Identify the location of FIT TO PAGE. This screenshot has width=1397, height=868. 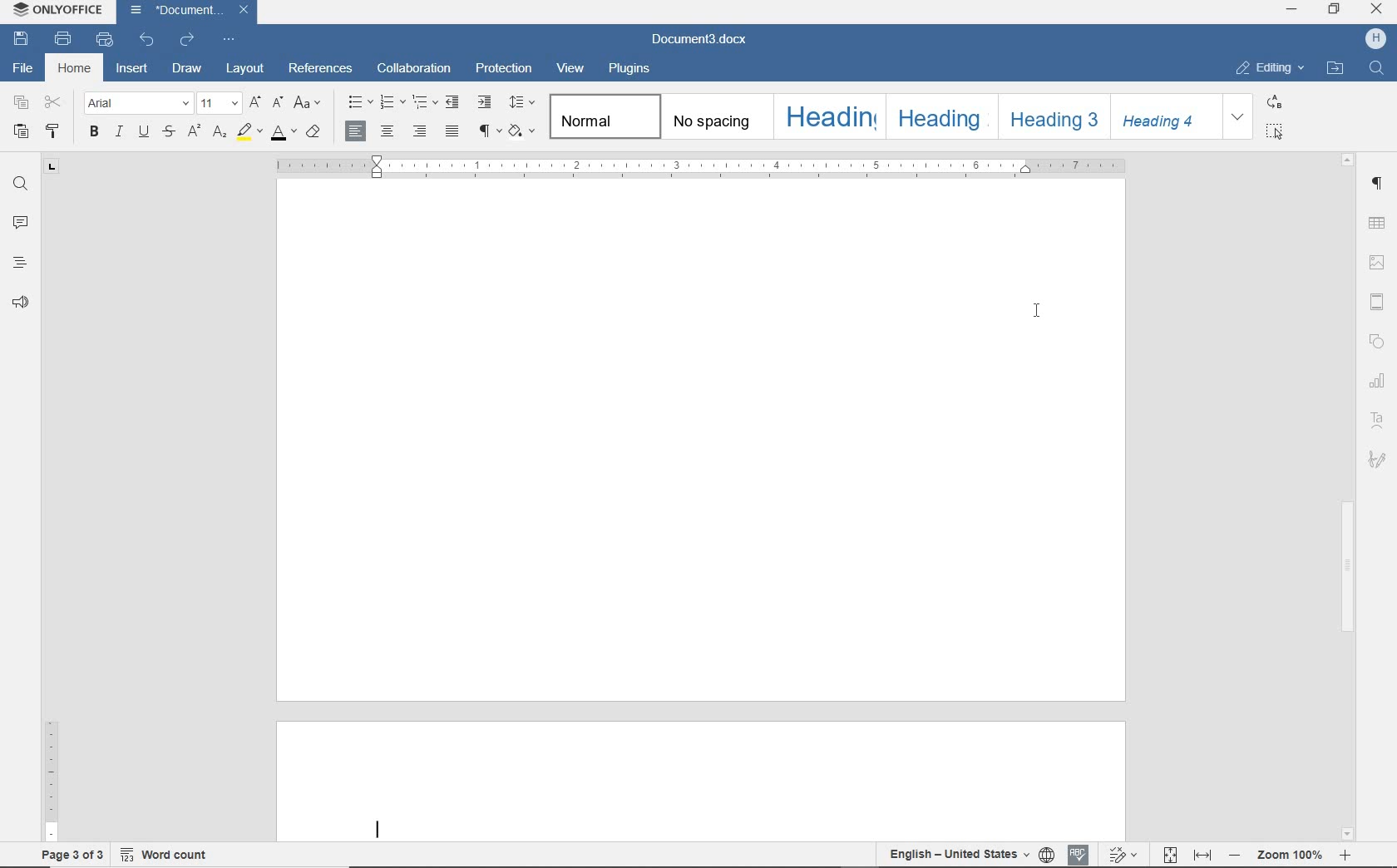
(1169, 854).